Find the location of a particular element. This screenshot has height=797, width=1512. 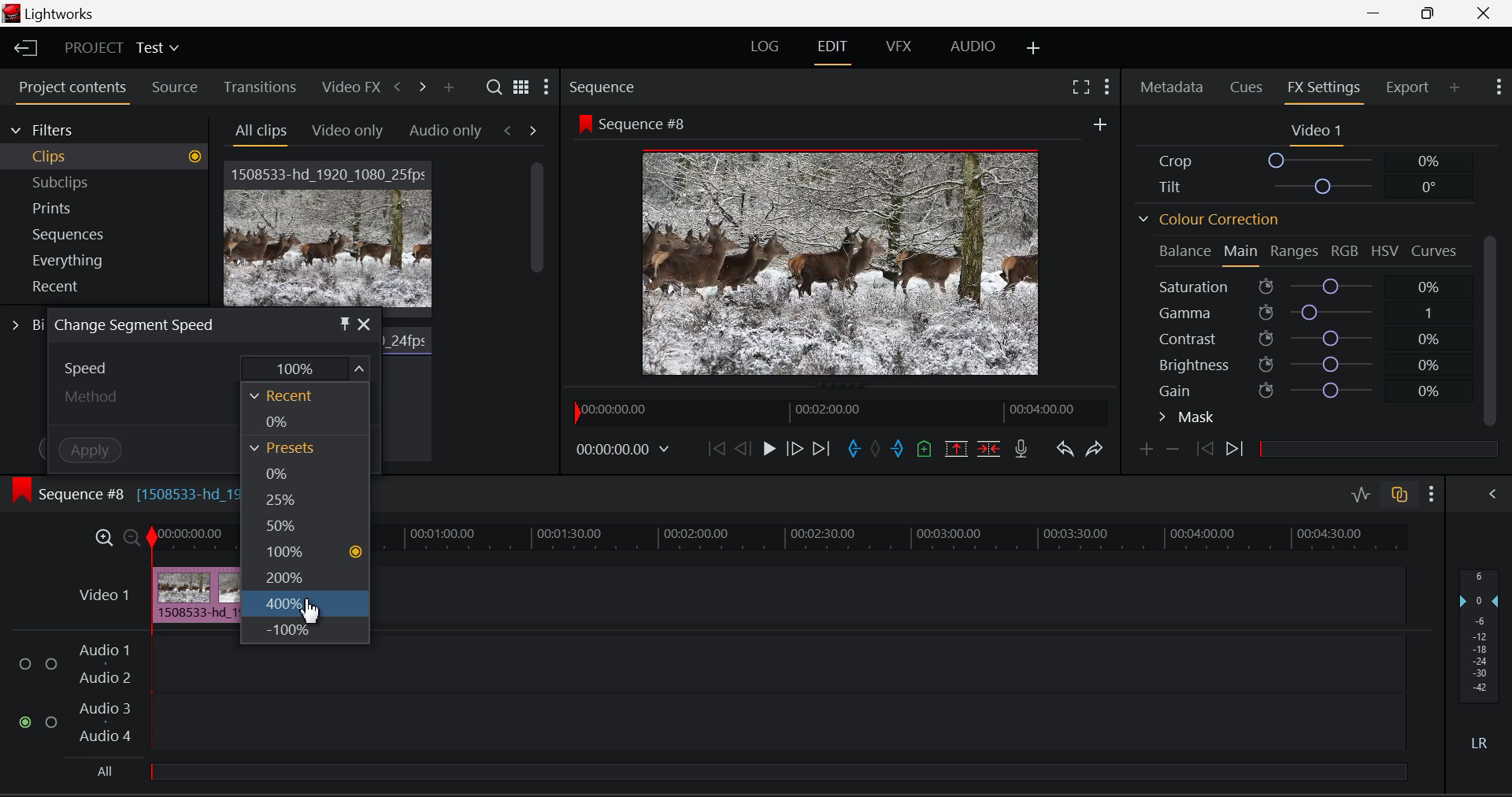

Sequences is located at coordinates (112, 235).